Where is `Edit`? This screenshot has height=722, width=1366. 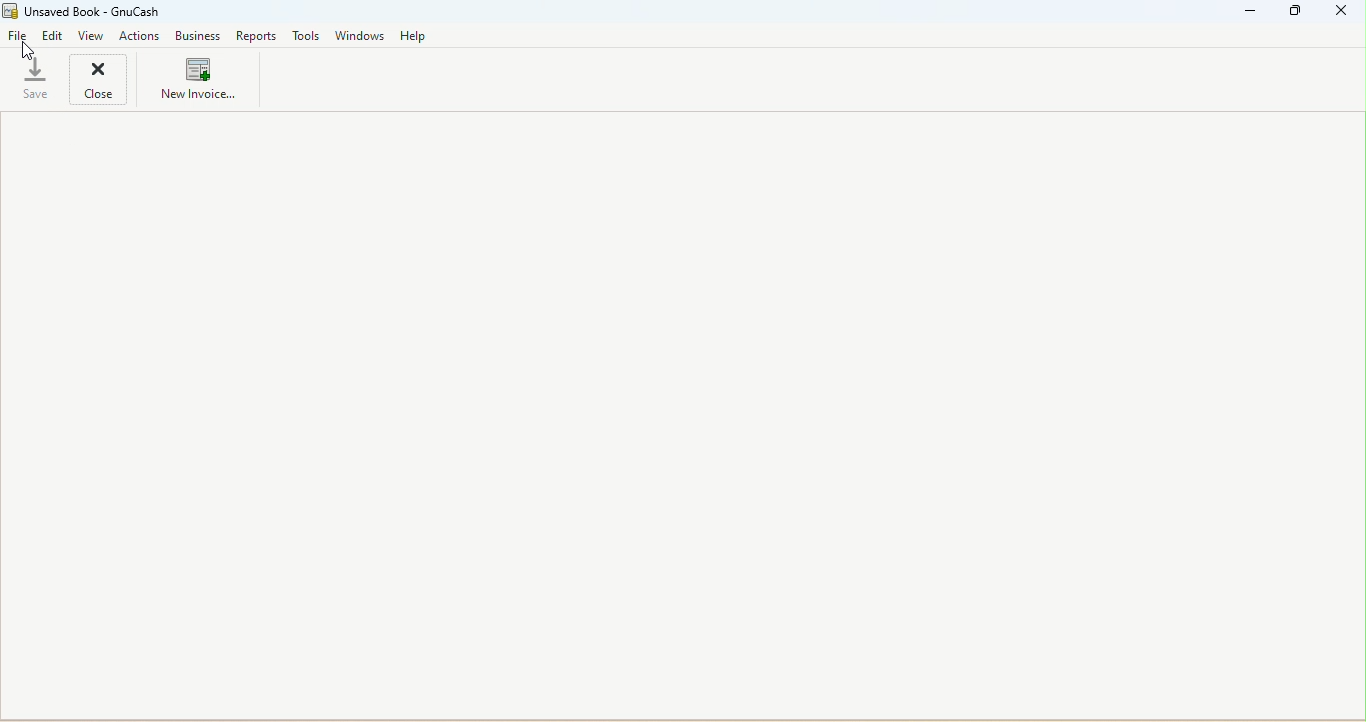
Edit is located at coordinates (53, 38).